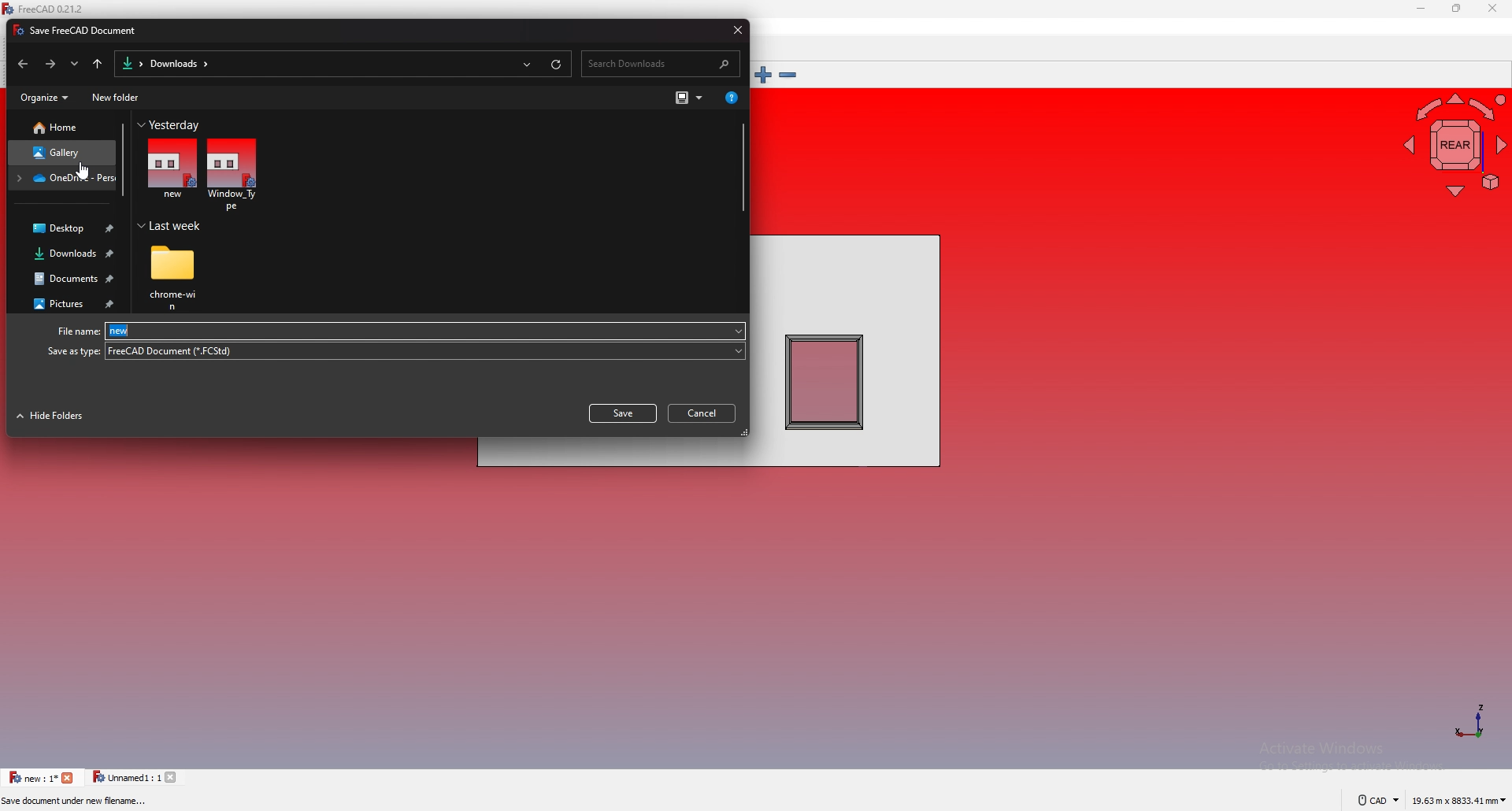 The height and width of the screenshot is (811, 1512). I want to click on hide folders, so click(51, 417).